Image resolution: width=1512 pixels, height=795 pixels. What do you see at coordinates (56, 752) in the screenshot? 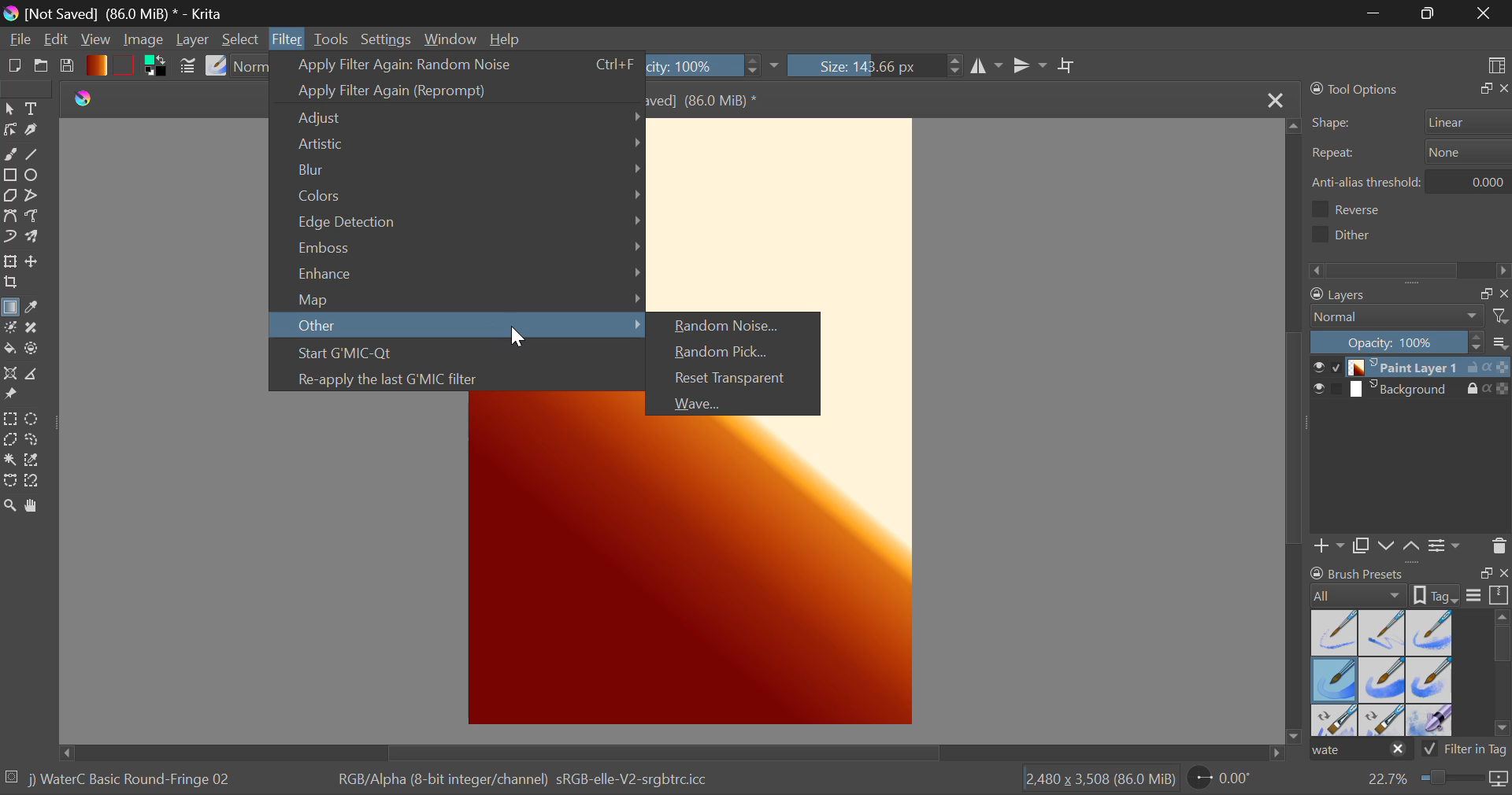
I see `move left` at bounding box center [56, 752].